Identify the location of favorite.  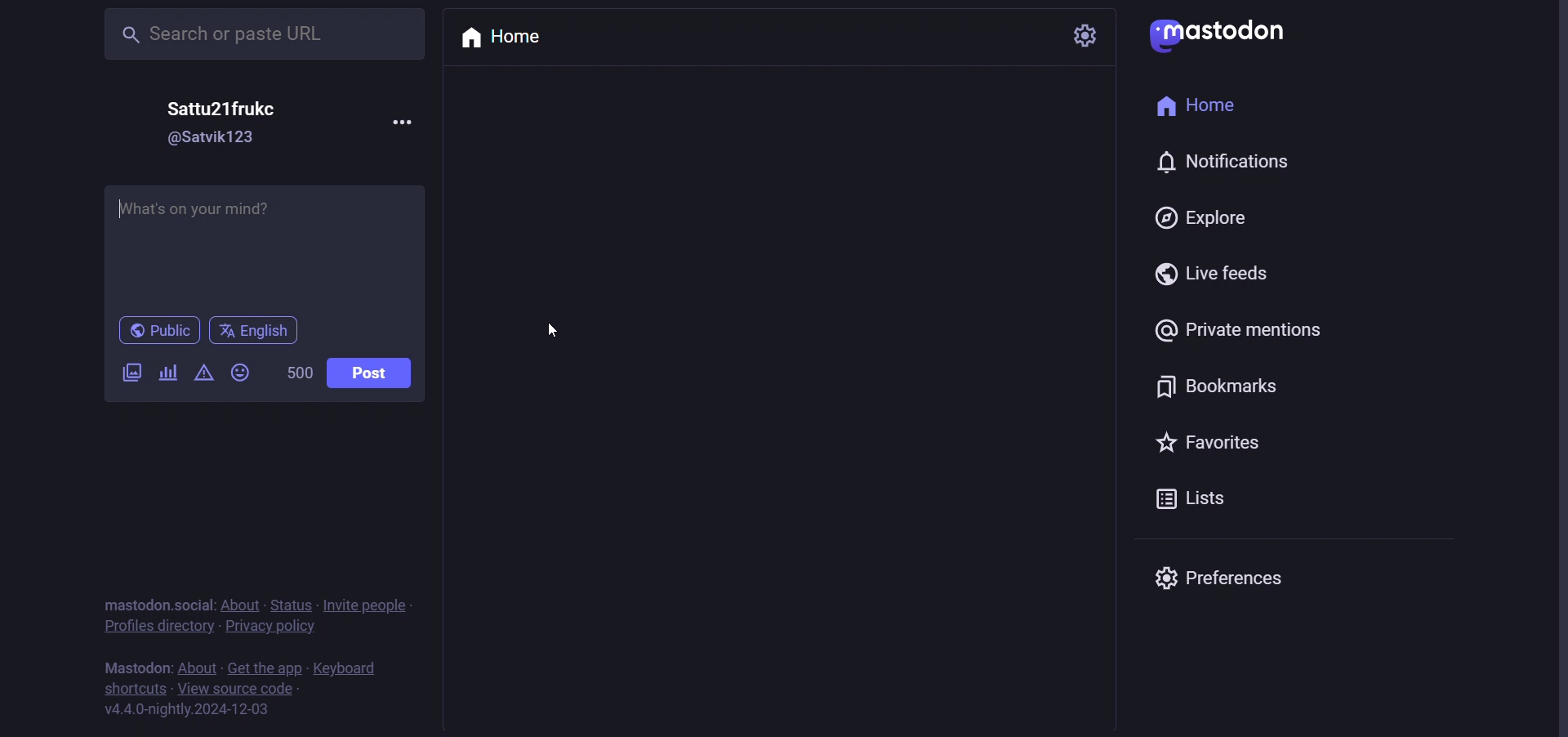
(1204, 443).